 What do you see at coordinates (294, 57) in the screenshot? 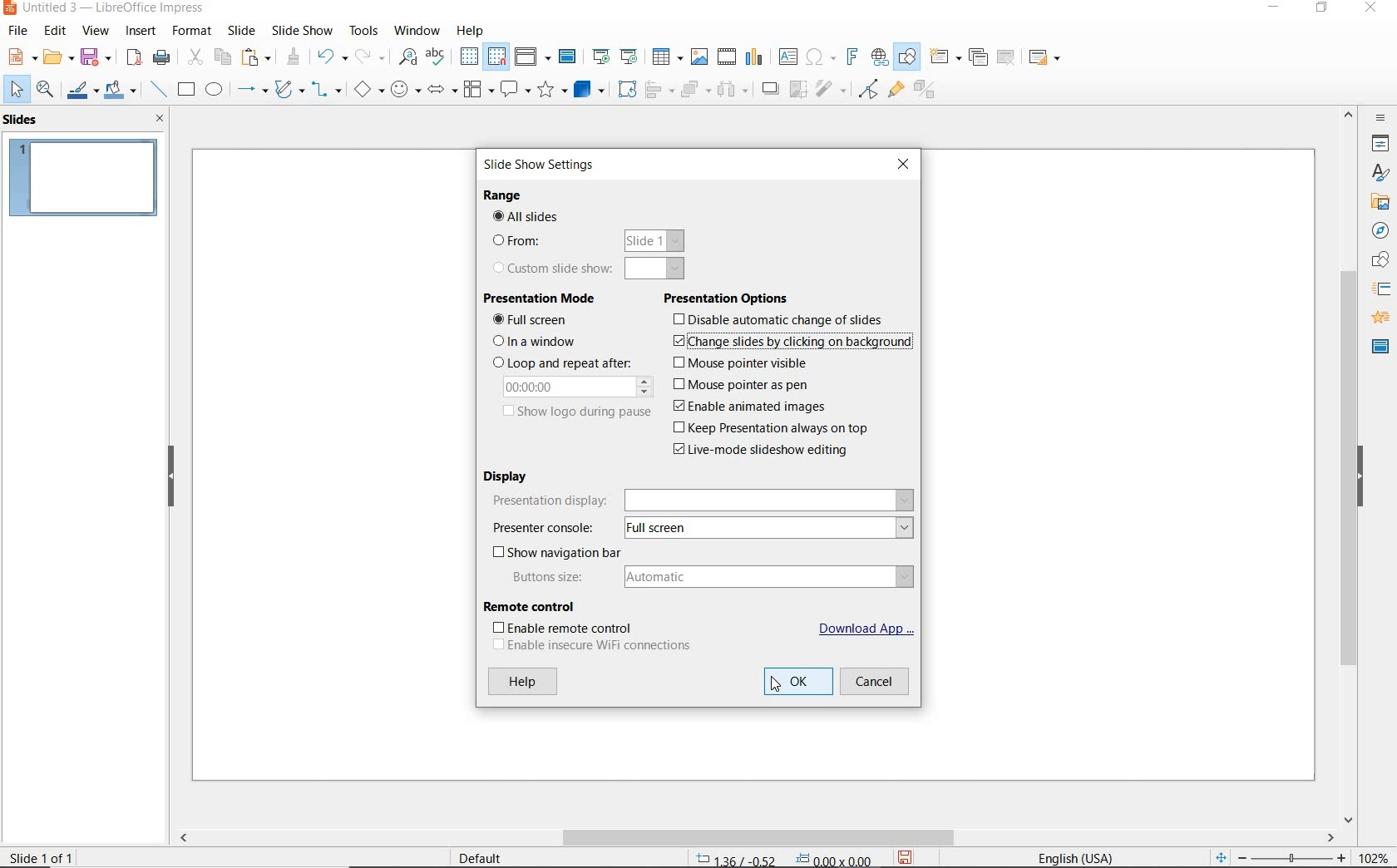
I see `CLONE FORMATTING` at bounding box center [294, 57].